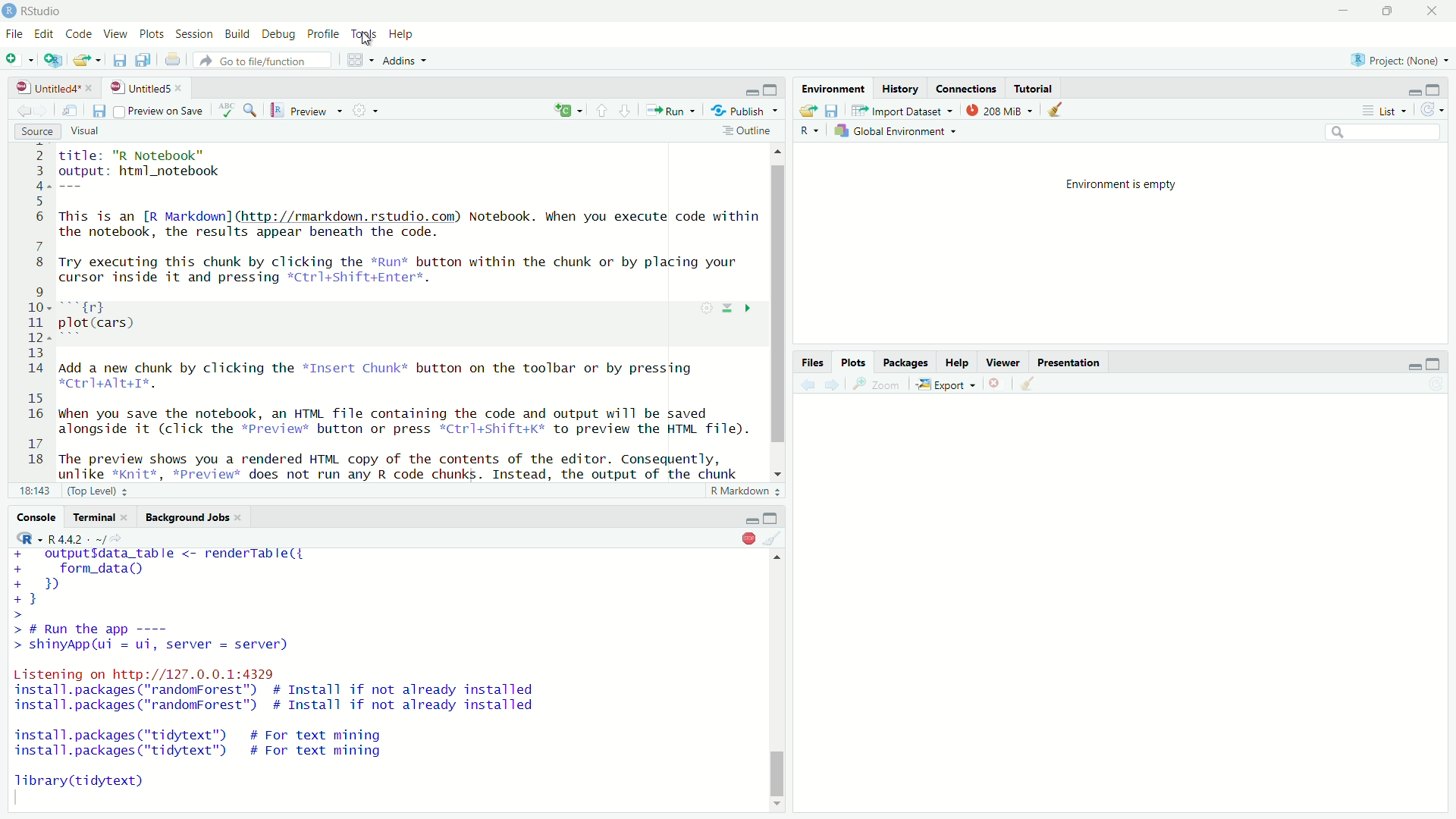 Image resolution: width=1456 pixels, height=819 pixels. Describe the element at coordinates (746, 491) in the screenshot. I see `R Markdown` at that location.